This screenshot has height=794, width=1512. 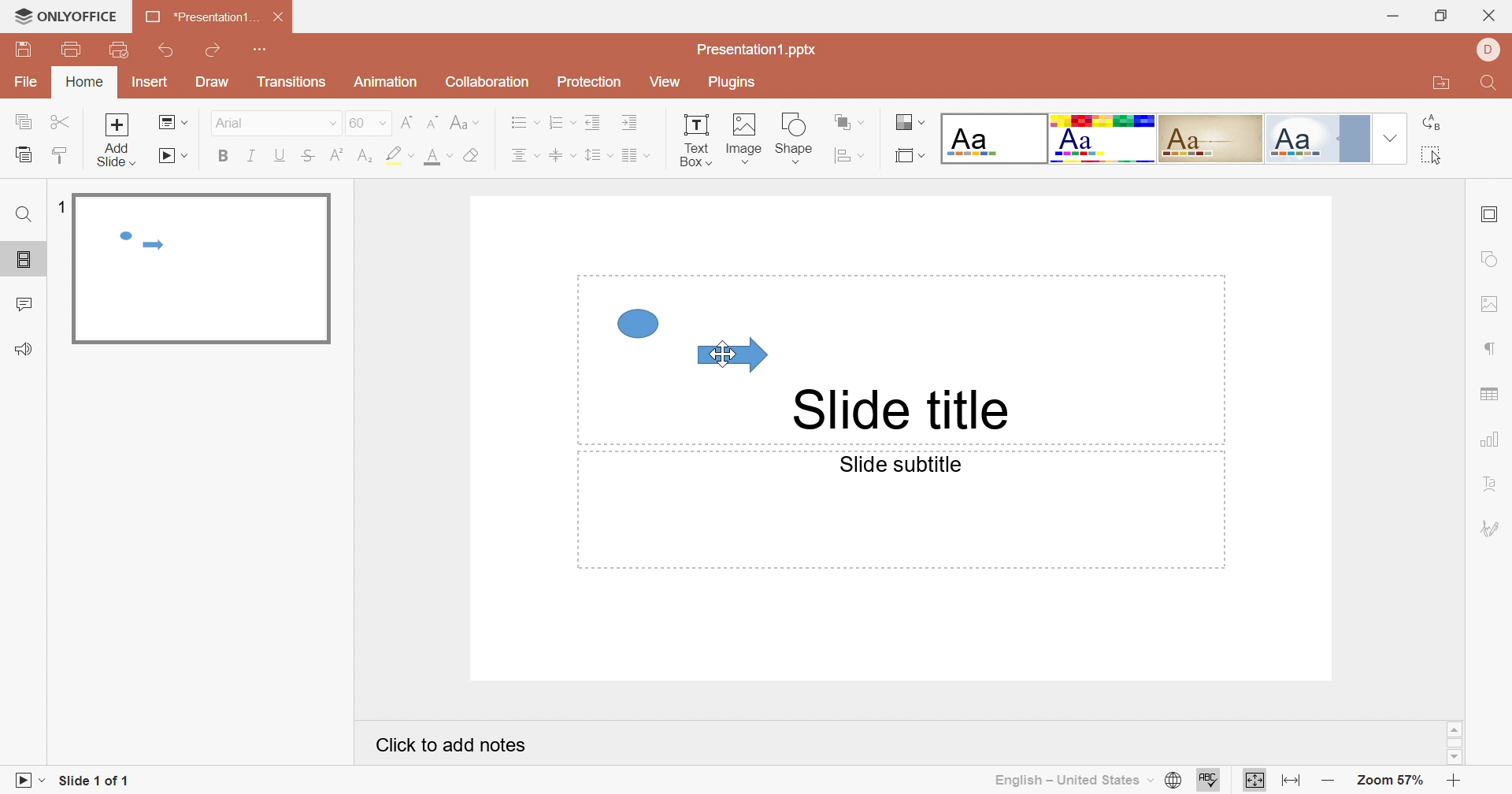 I want to click on Text Box, so click(x=698, y=141).